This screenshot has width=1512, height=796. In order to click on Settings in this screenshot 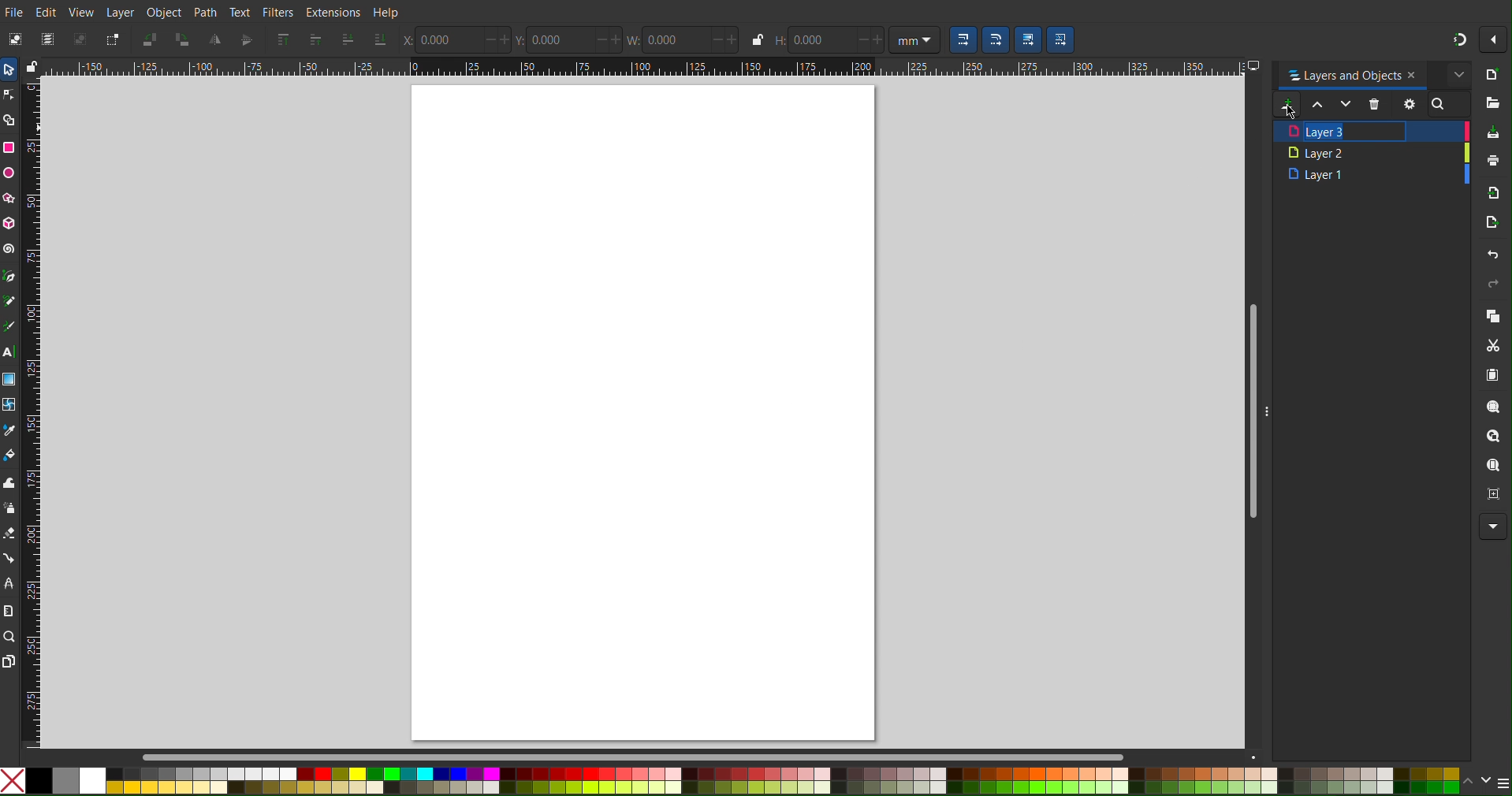, I will do `click(1408, 103)`.